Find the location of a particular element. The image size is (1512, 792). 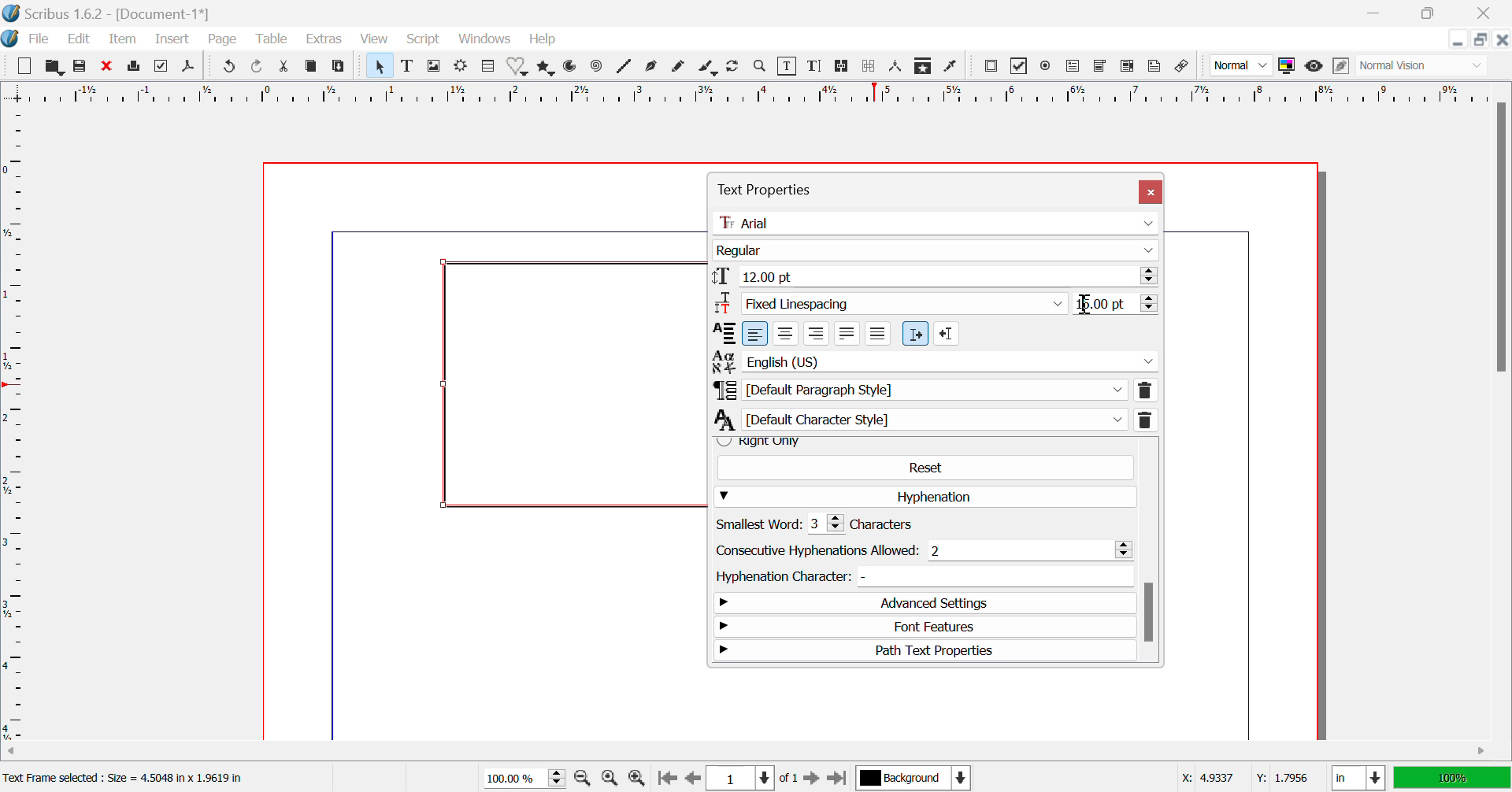

Paste is located at coordinates (339, 68).